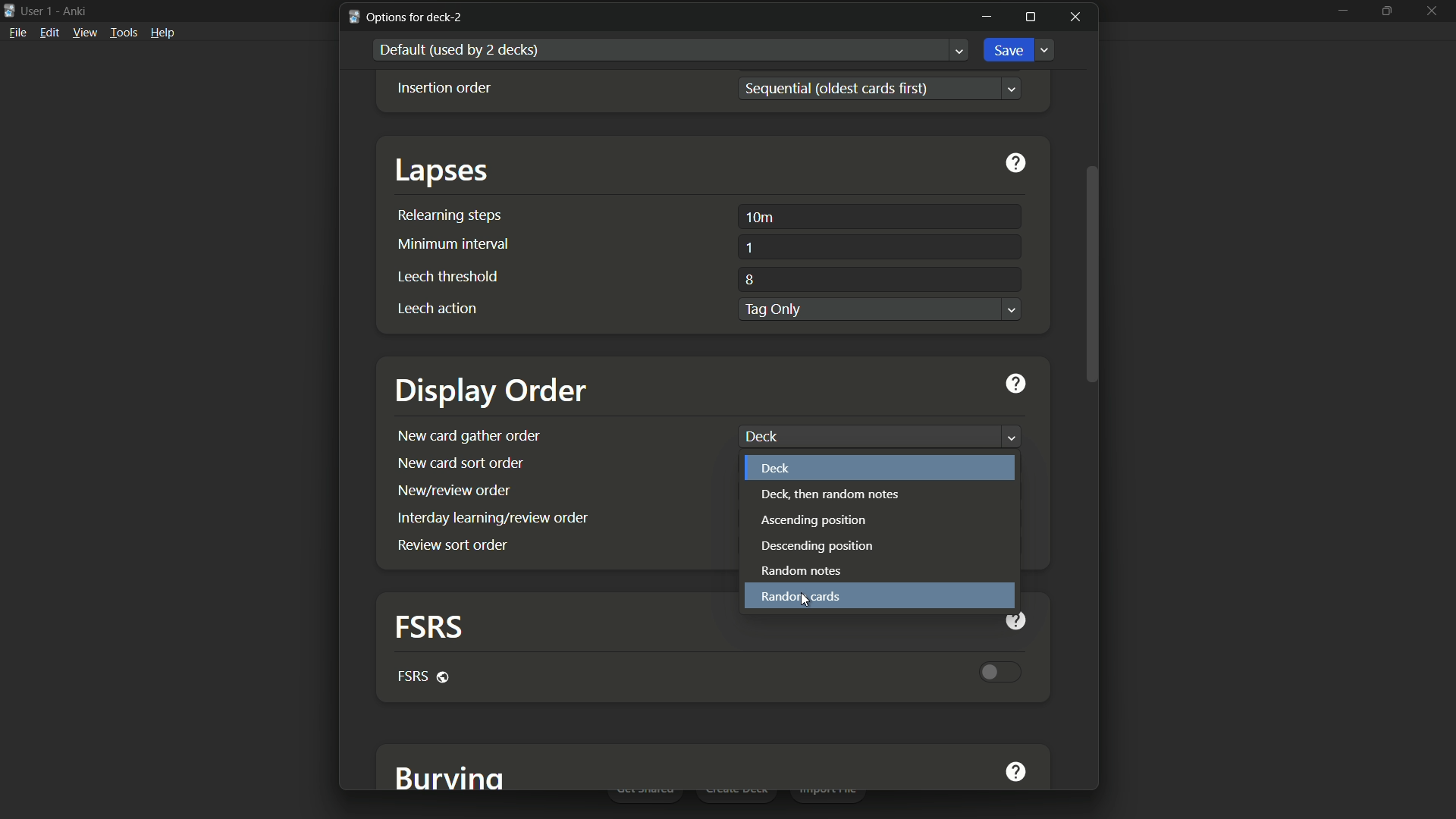 This screenshot has height=819, width=1456. I want to click on Insertion order, so click(444, 88).